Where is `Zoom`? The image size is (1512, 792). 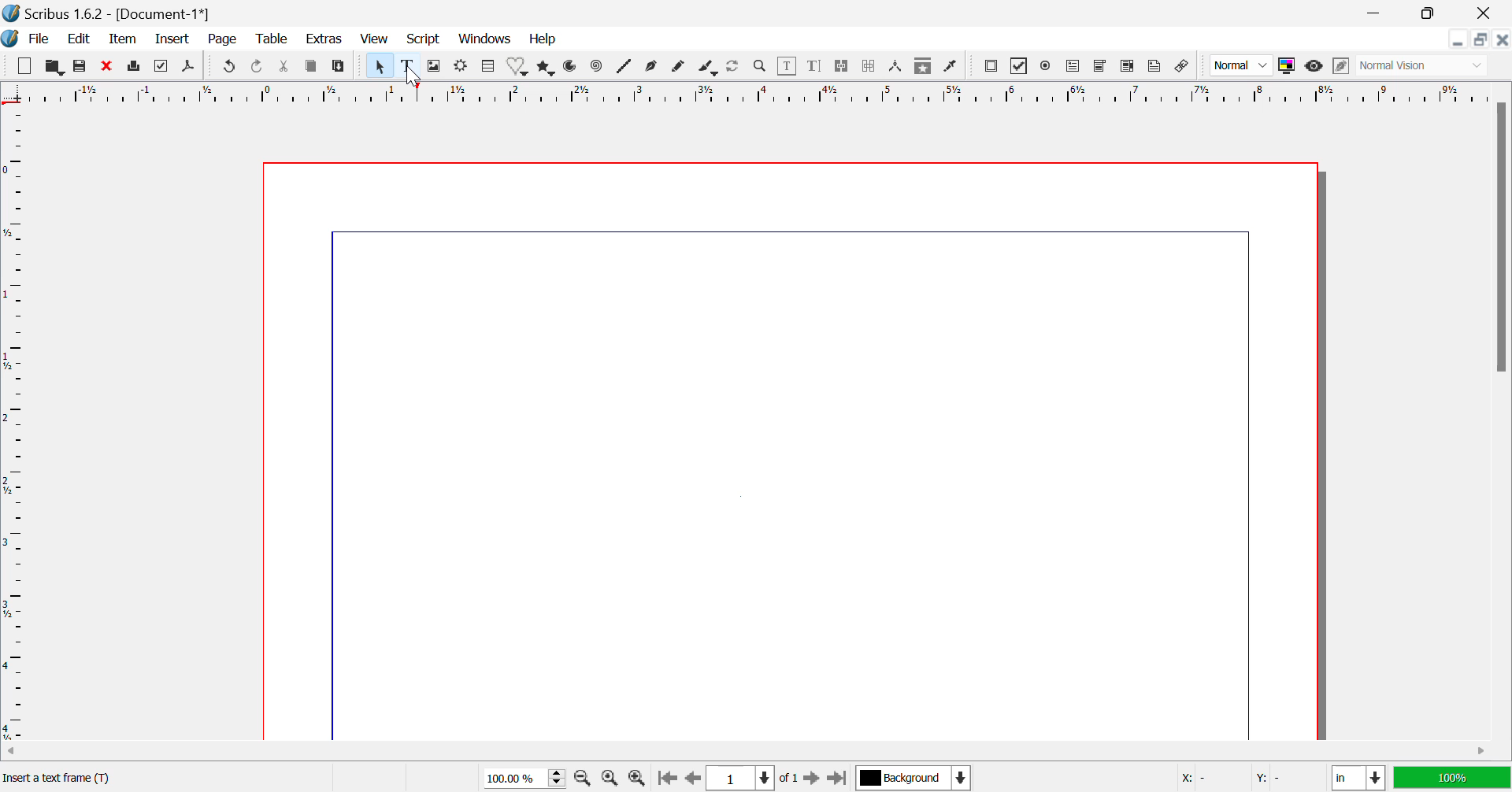
Zoom is located at coordinates (762, 68).